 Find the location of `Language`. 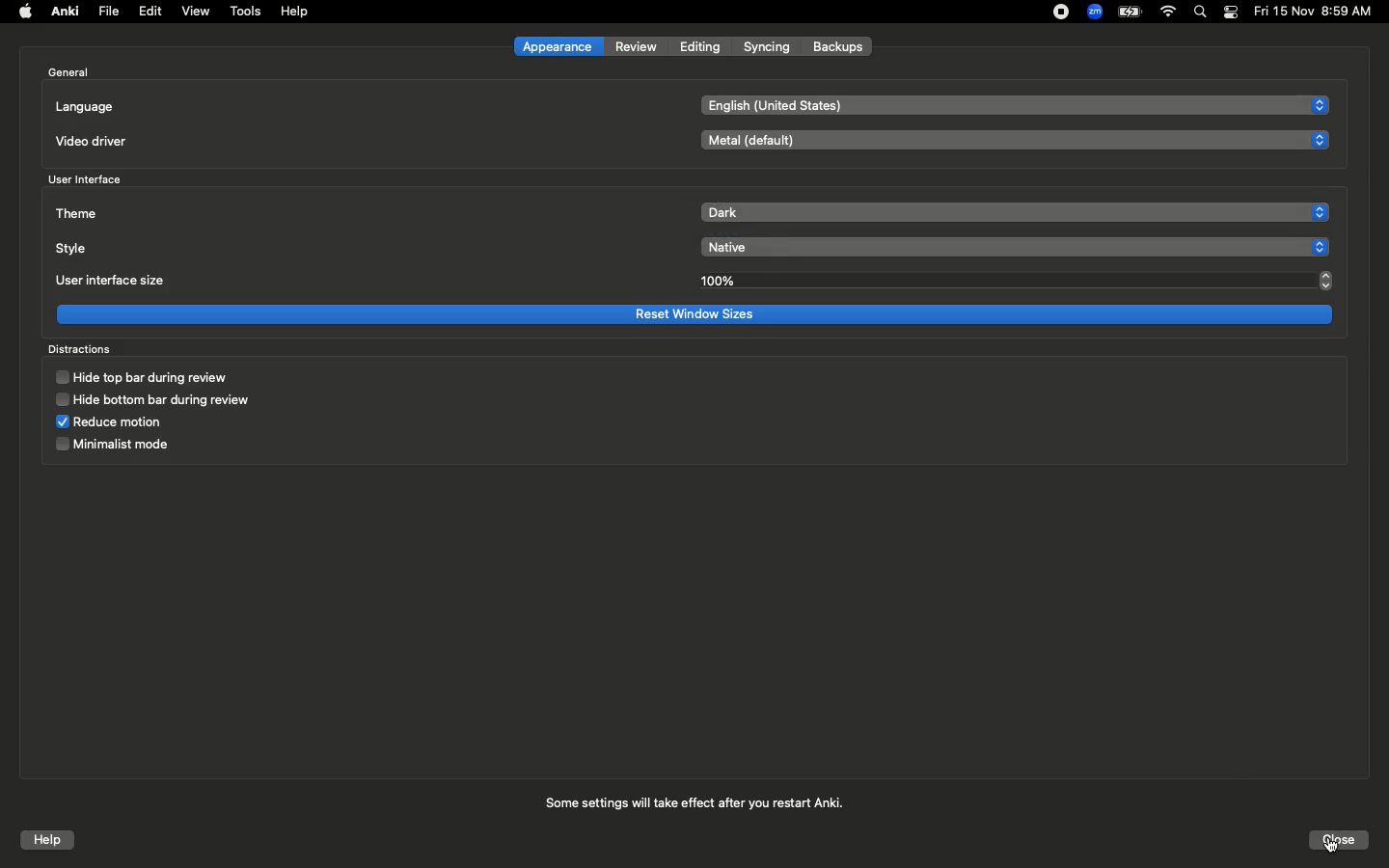

Language is located at coordinates (87, 107).